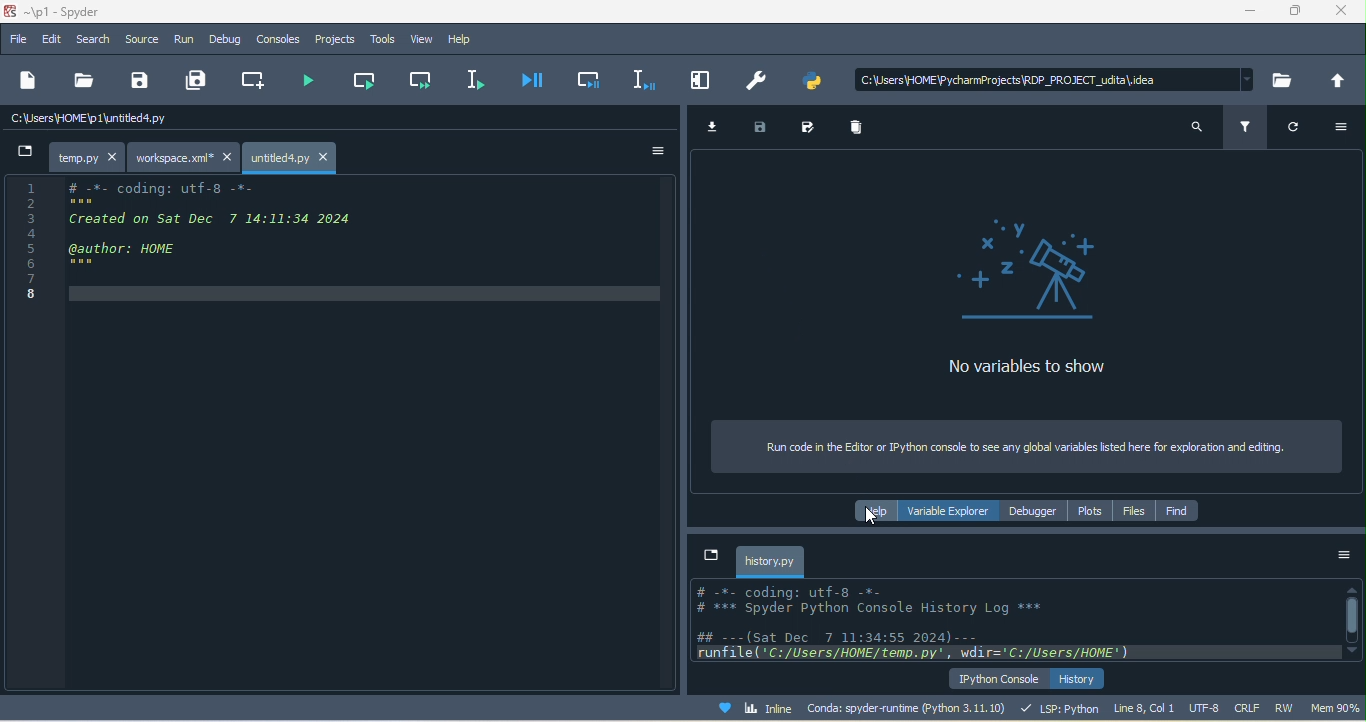 This screenshot has width=1366, height=722. I want to click on , so click(810, 130).